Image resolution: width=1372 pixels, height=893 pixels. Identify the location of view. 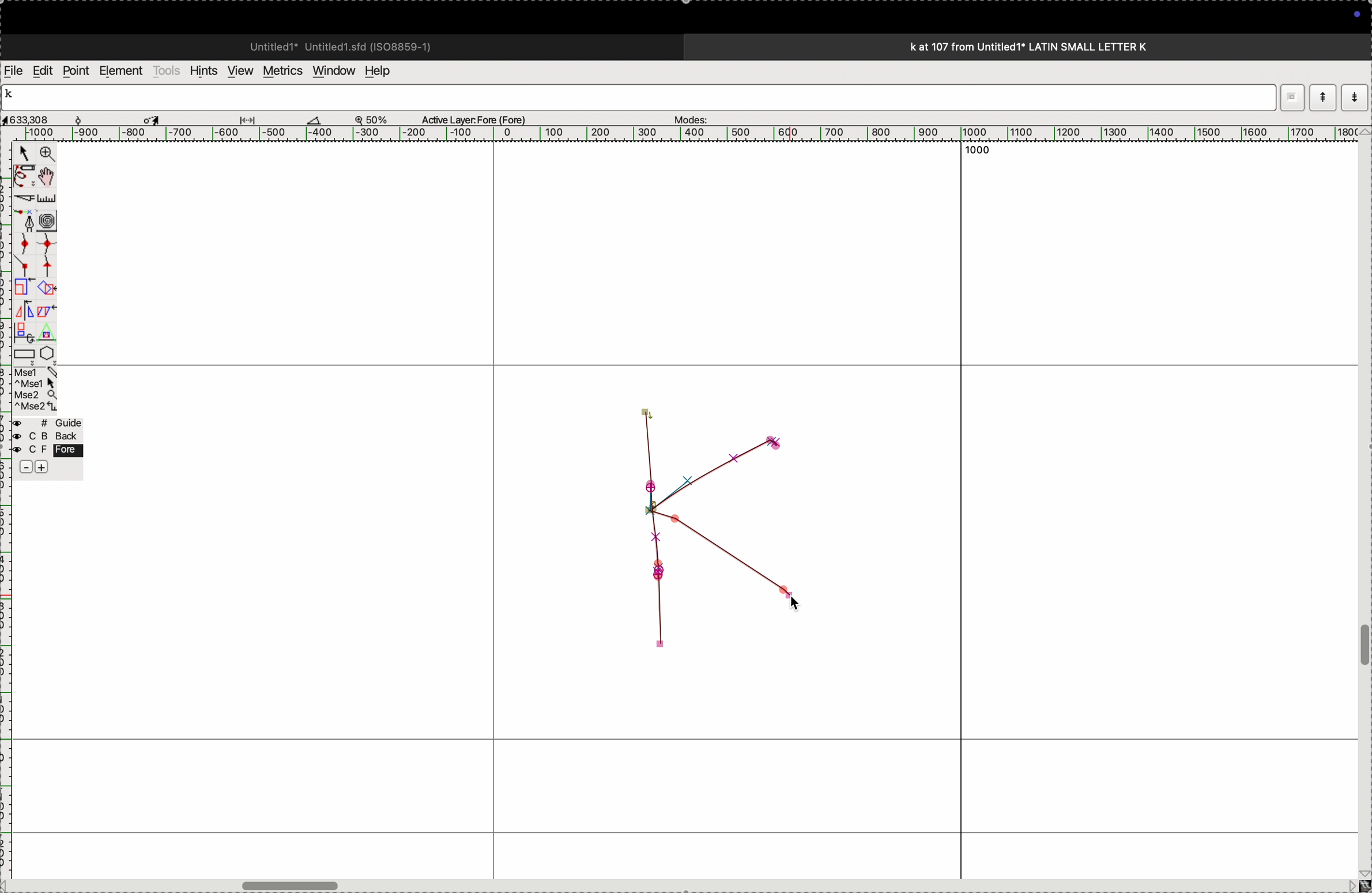
(237, 71).